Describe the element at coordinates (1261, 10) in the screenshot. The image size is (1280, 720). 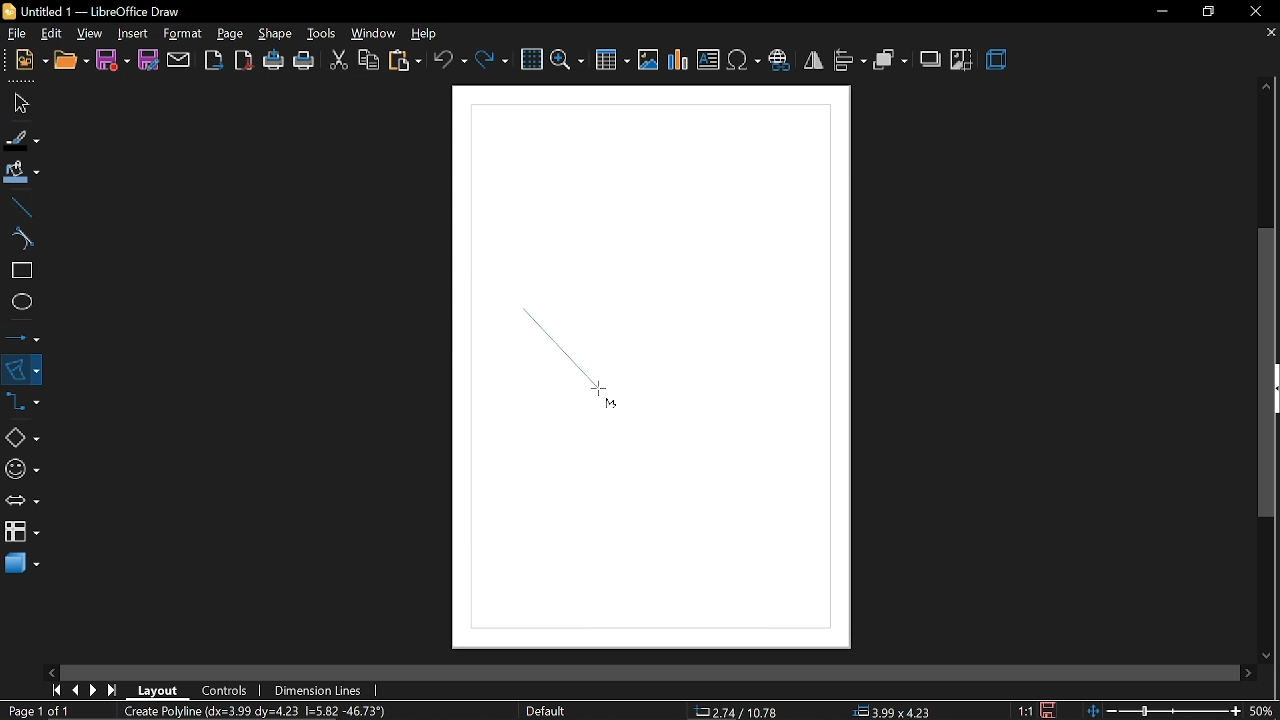
I see `close` at that location.